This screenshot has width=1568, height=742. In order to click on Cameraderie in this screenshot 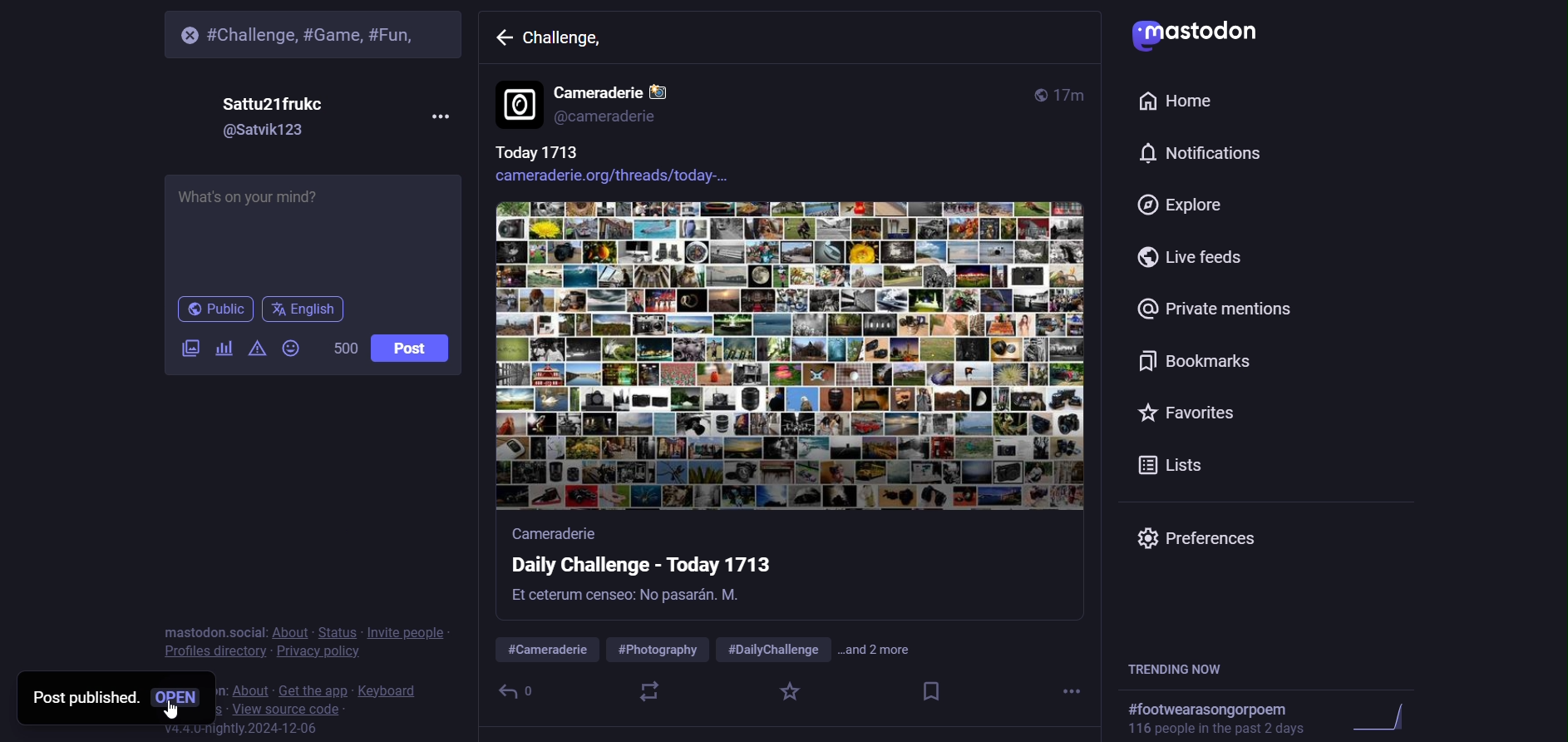, I will do `click(626, 88)`.